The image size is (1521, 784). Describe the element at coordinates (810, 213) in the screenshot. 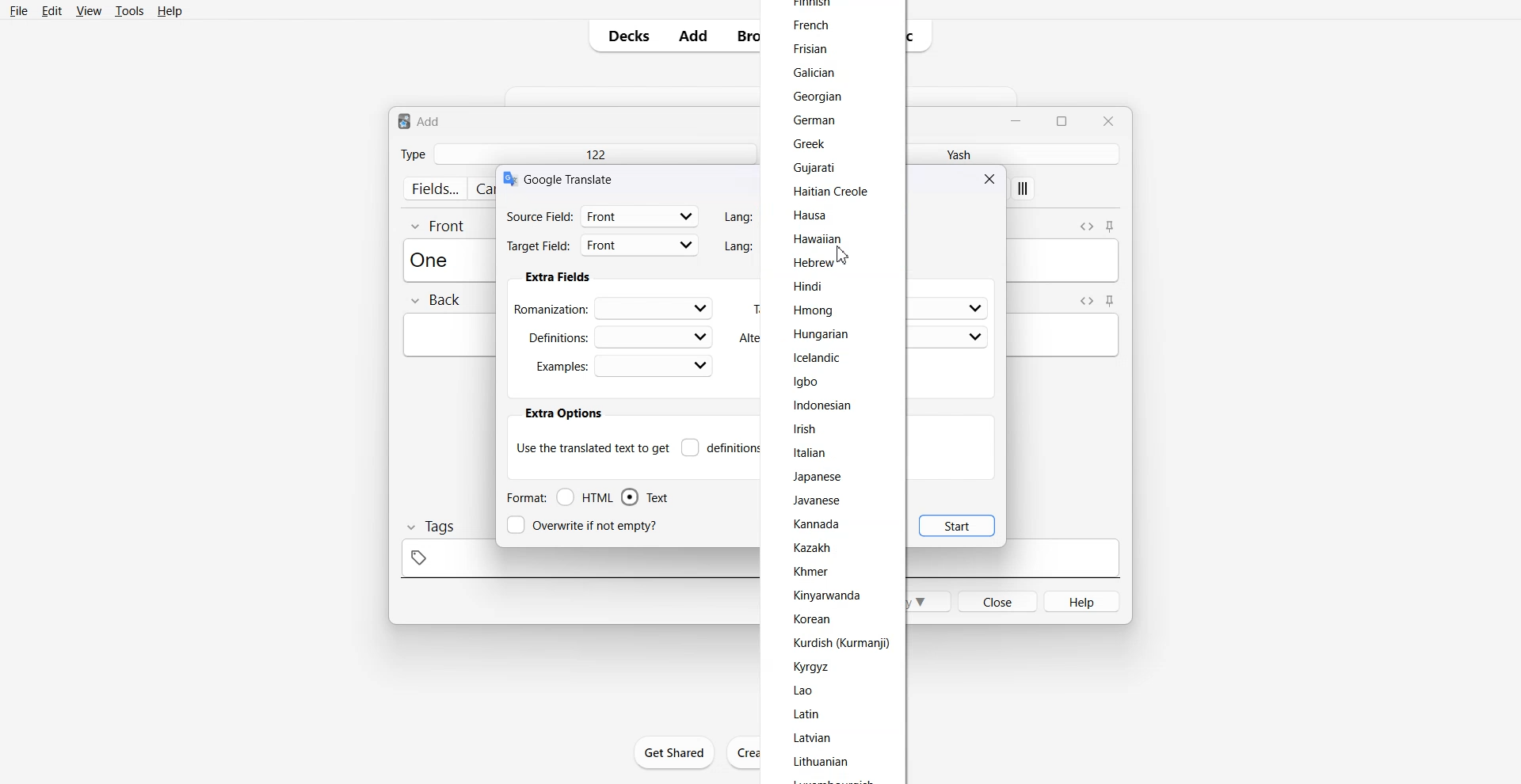

I see `Hausa` at that location.